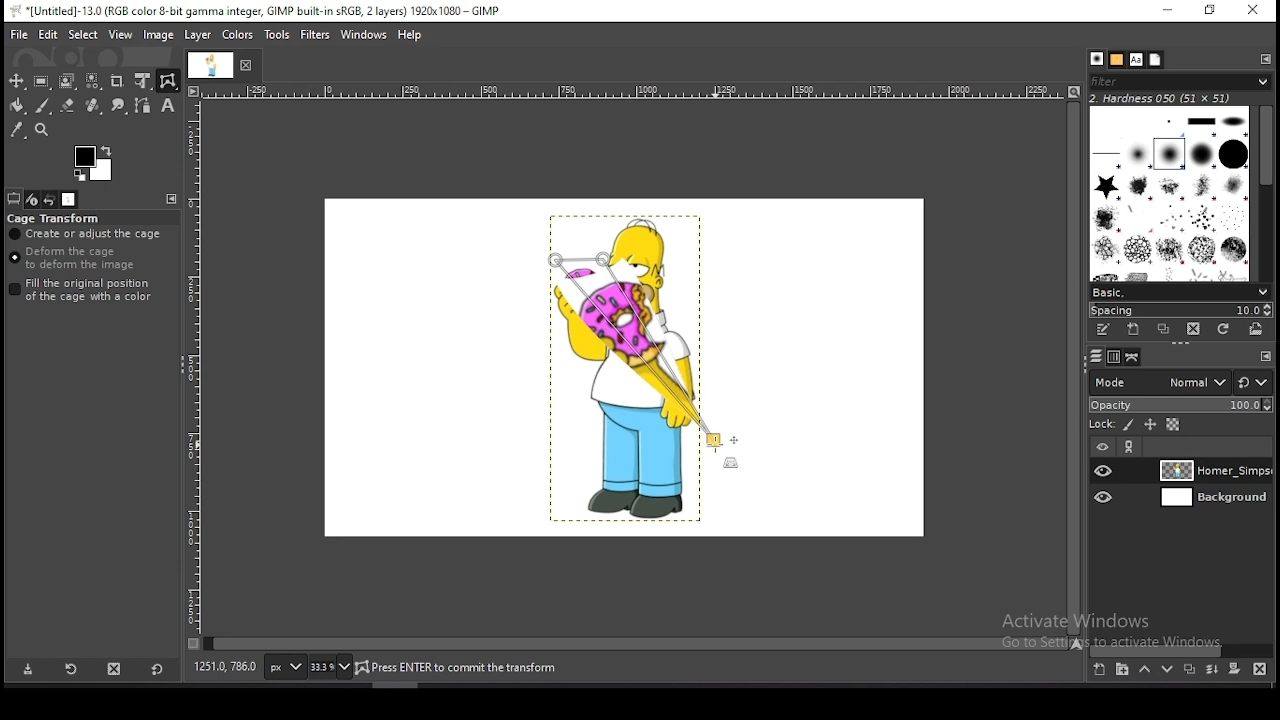  I want to click on lock alpha channel, so click(1172, 426).